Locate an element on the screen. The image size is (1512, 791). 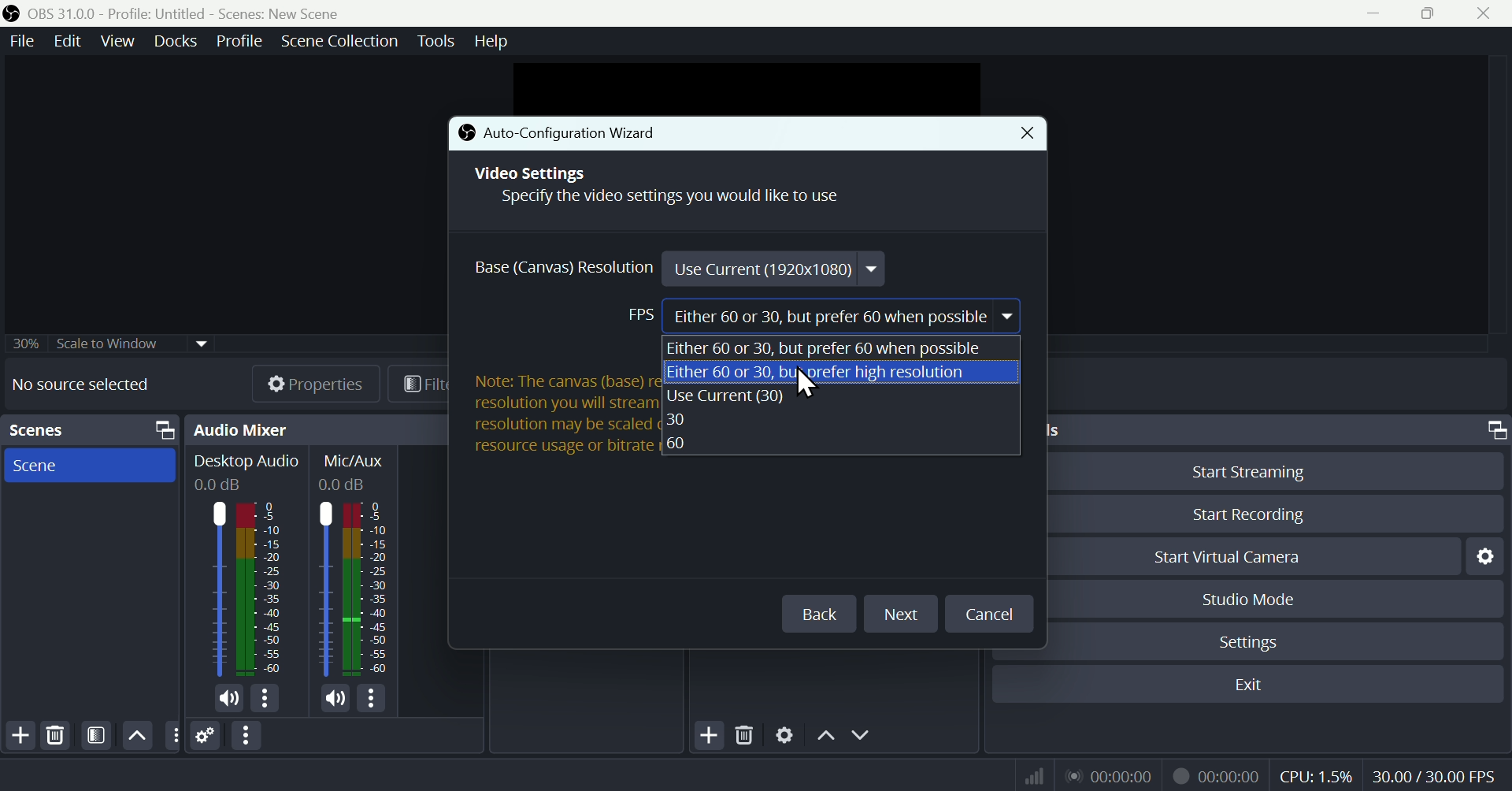
Video recorder is located at coordinates (1215, 774).